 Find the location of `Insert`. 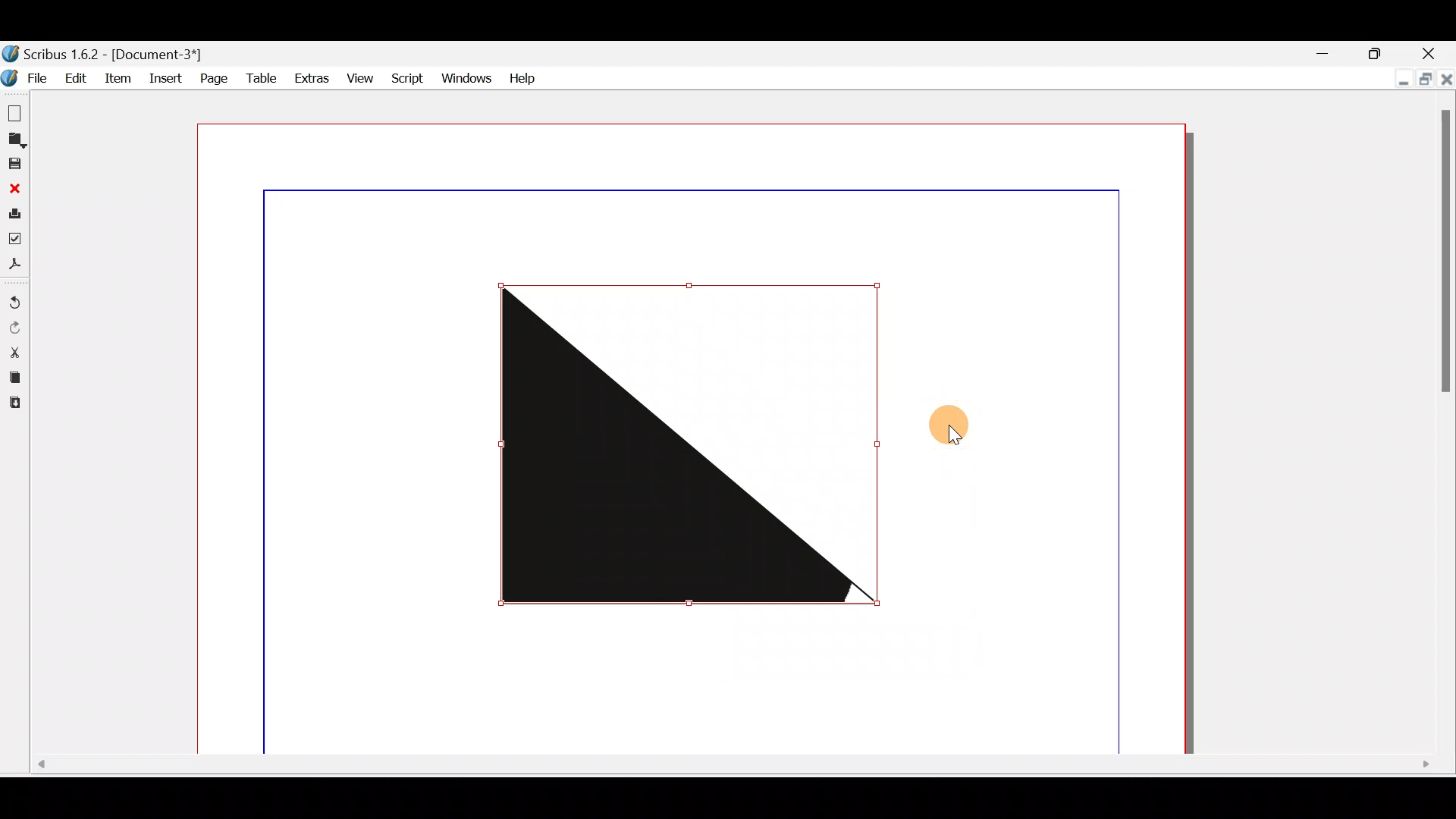

Insert is located at coordinates (165, 80).